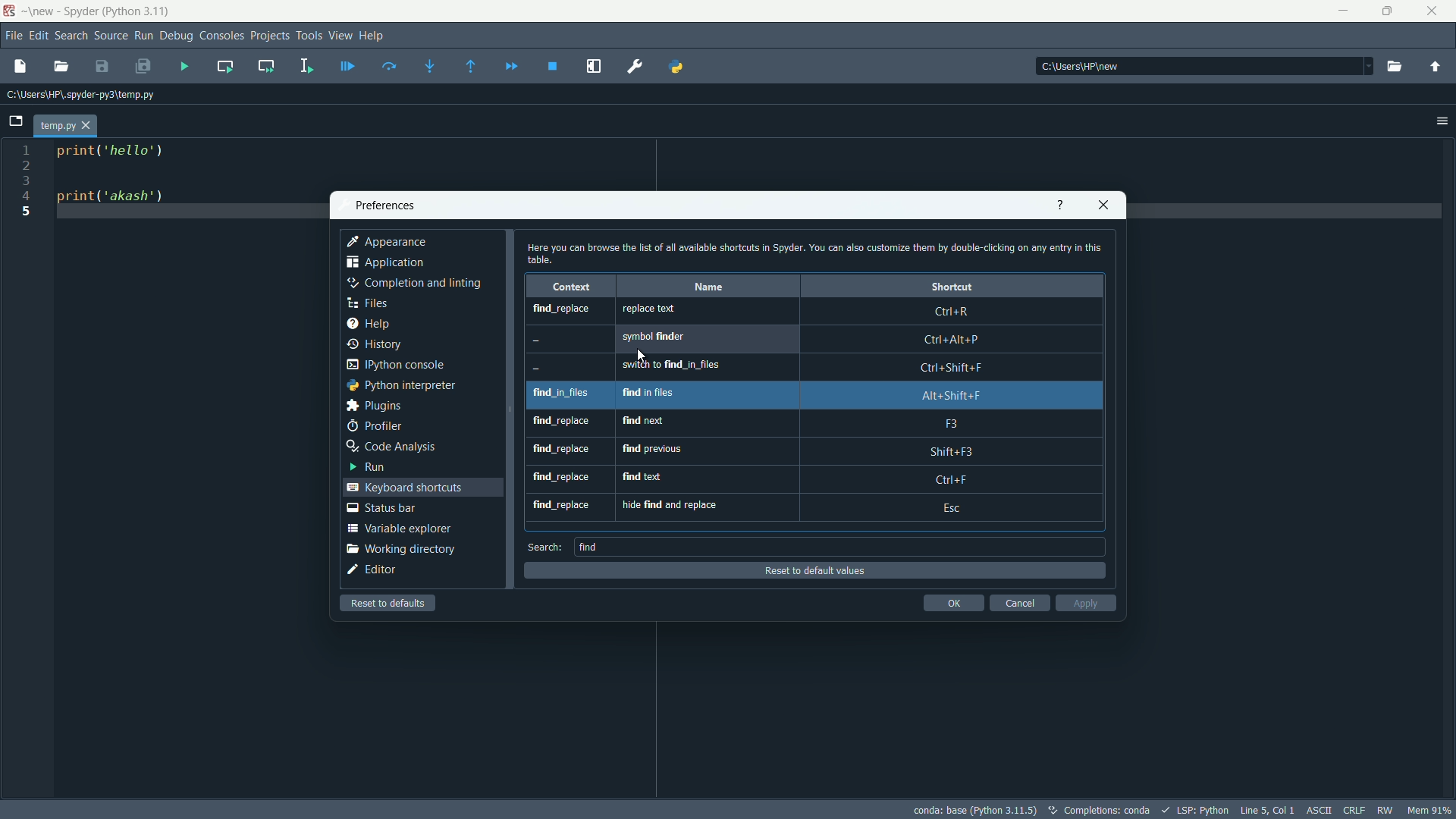 The height and width of the screenshot is (819, 1456). What do you see at coordinates (954, 604) in the screenshot?
I see `ok` at bounding box center [954, 604].